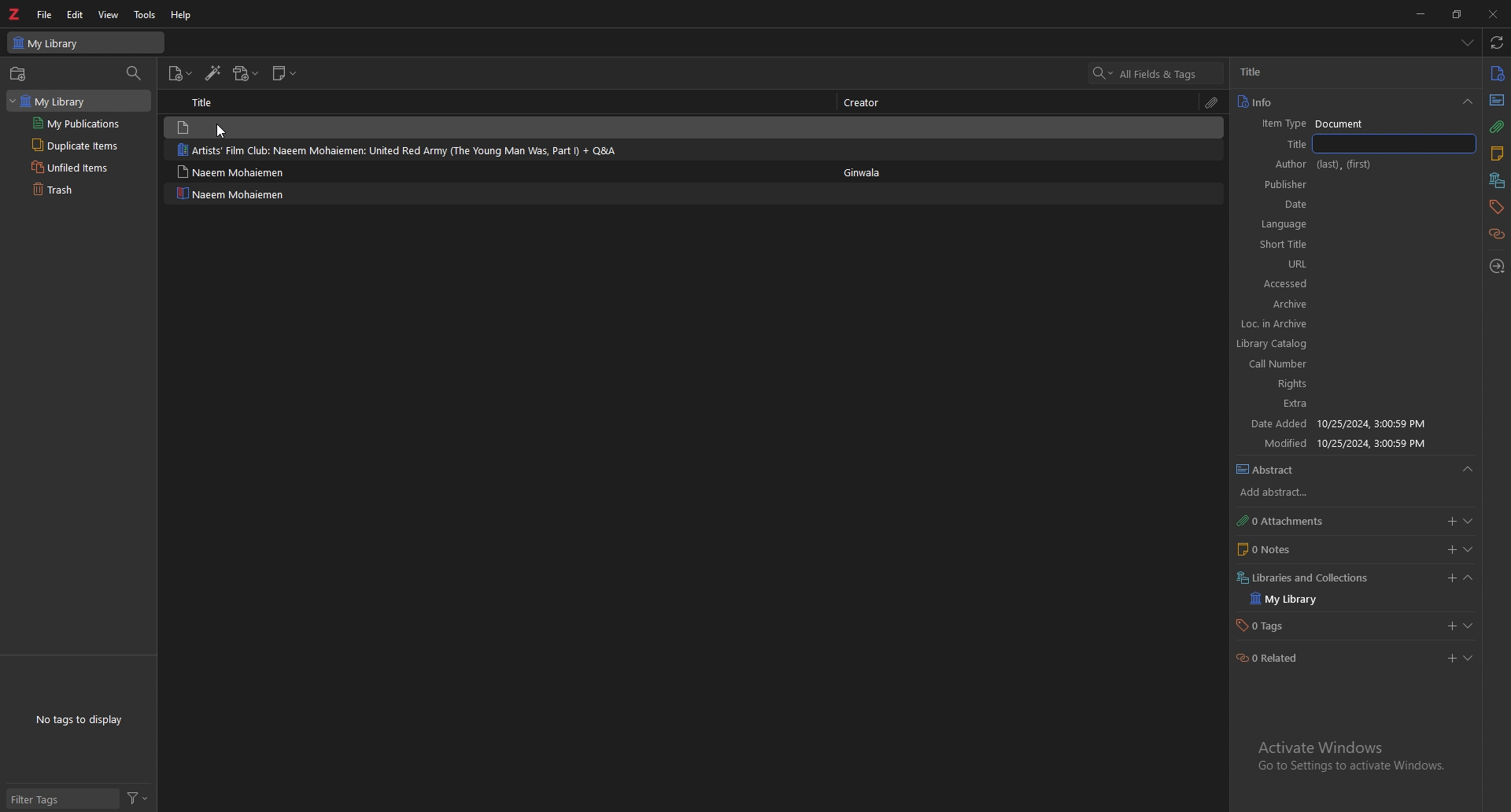 This screenshot has height=812, width=1511. I want to click on filter tags, so click(61, 799).